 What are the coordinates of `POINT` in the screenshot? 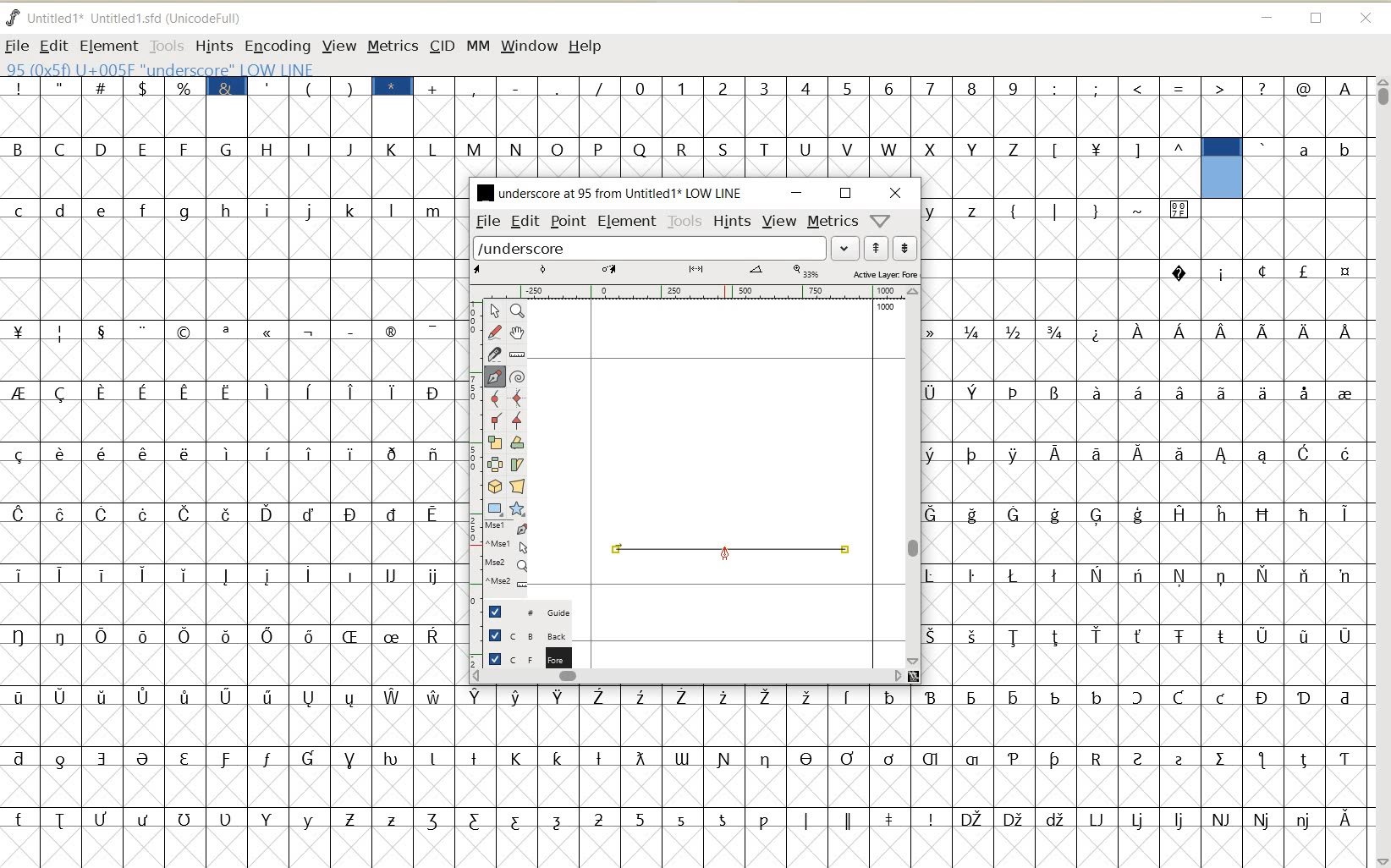 It's located at (569, 223).